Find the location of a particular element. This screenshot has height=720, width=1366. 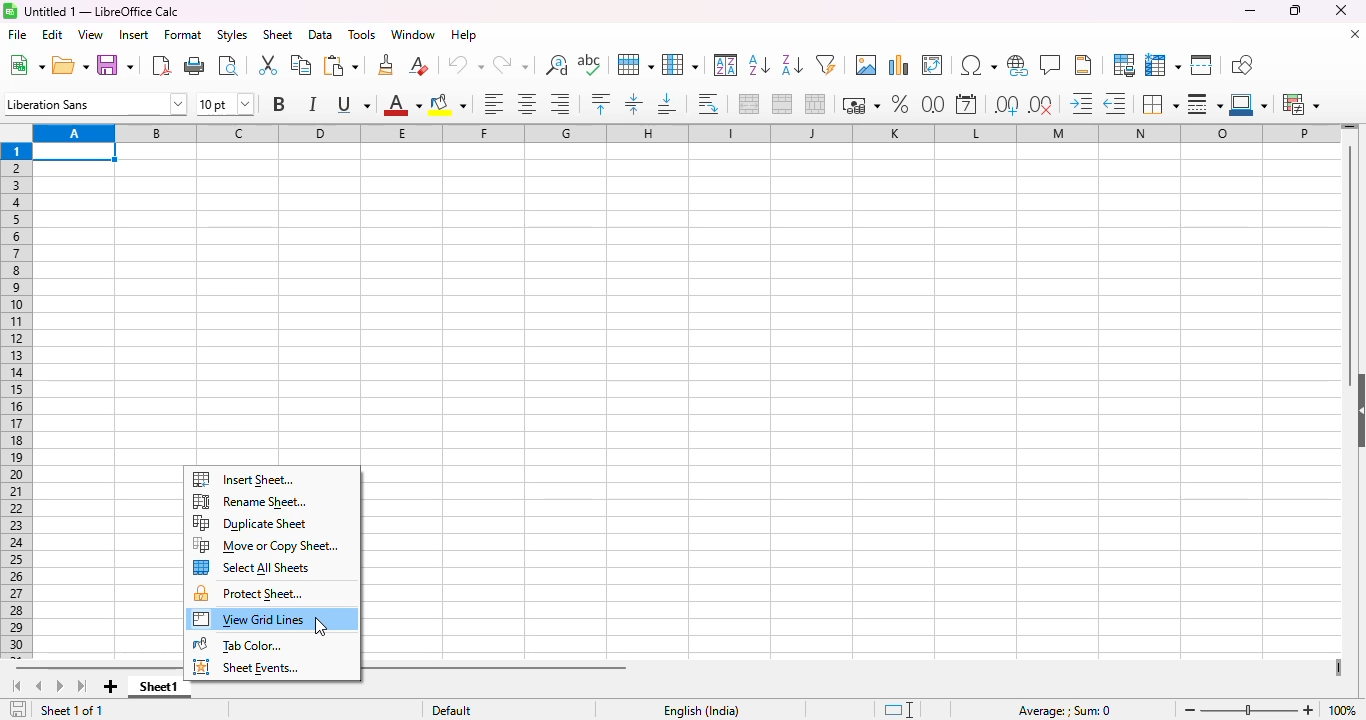

window is located at coordinates (414, 34).